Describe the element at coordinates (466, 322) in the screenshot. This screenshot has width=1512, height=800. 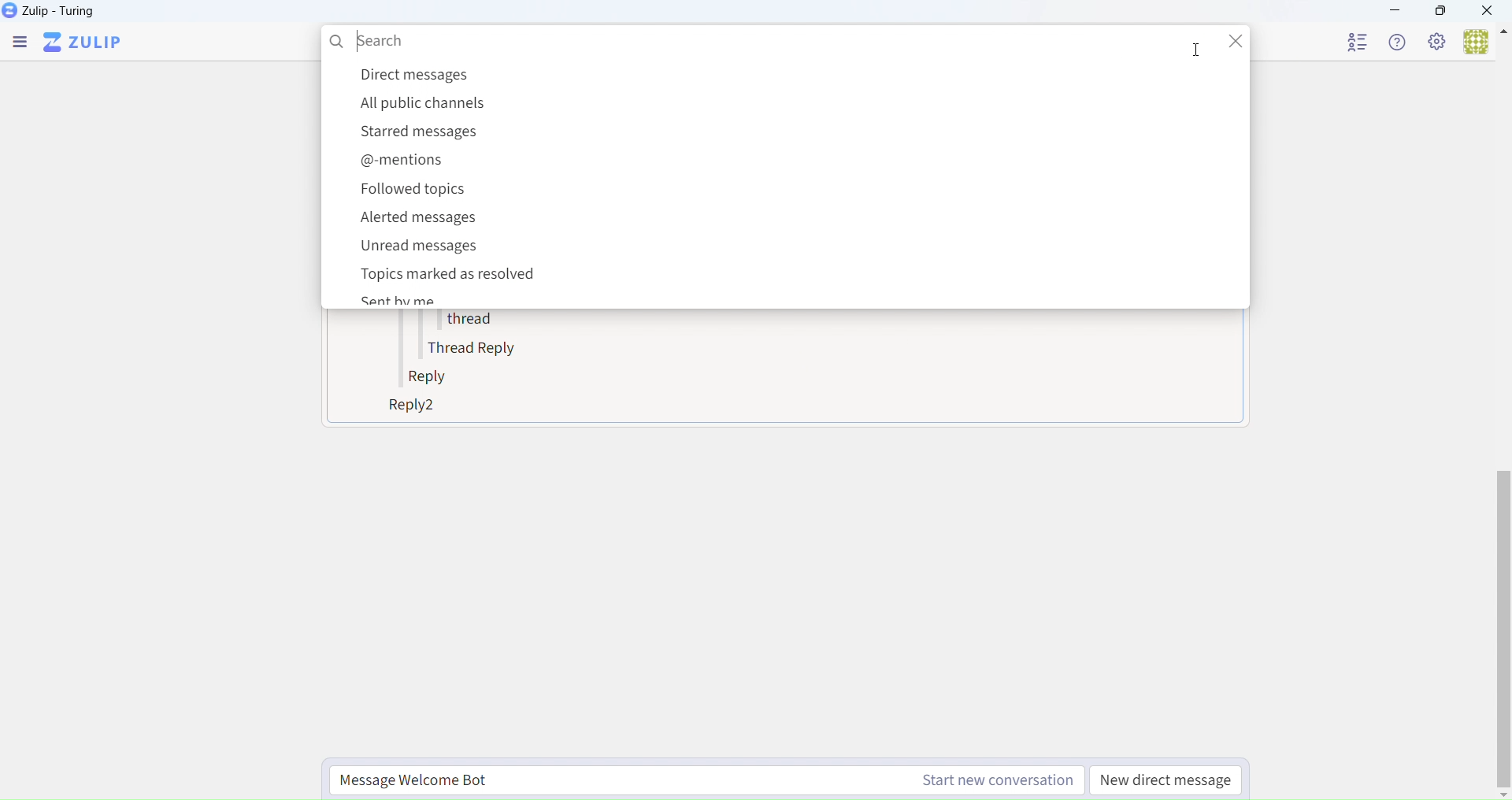
I see `thread` at that location.